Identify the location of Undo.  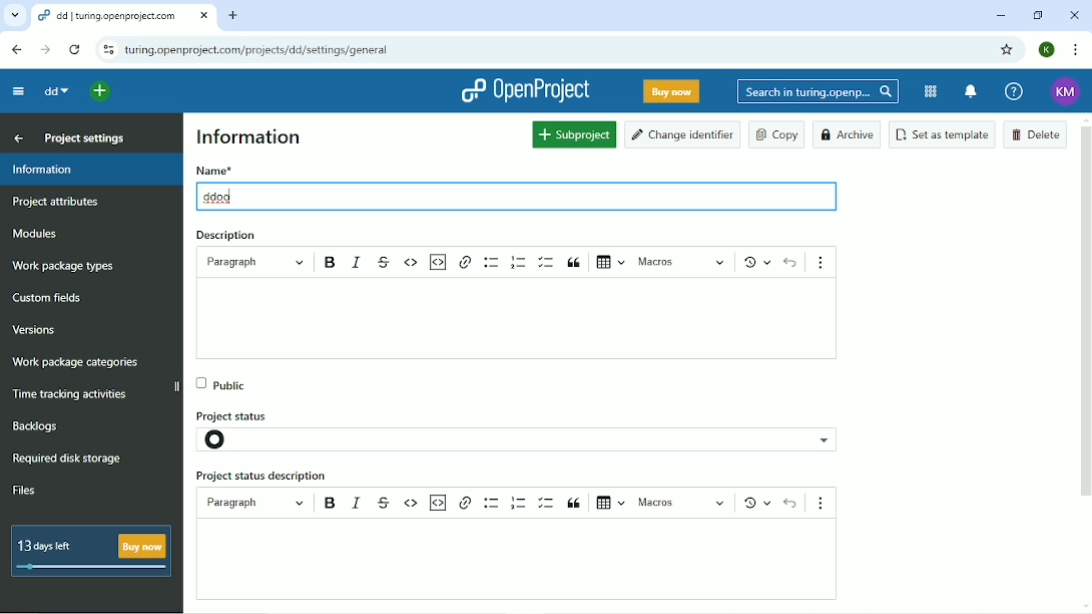
(791, 262).